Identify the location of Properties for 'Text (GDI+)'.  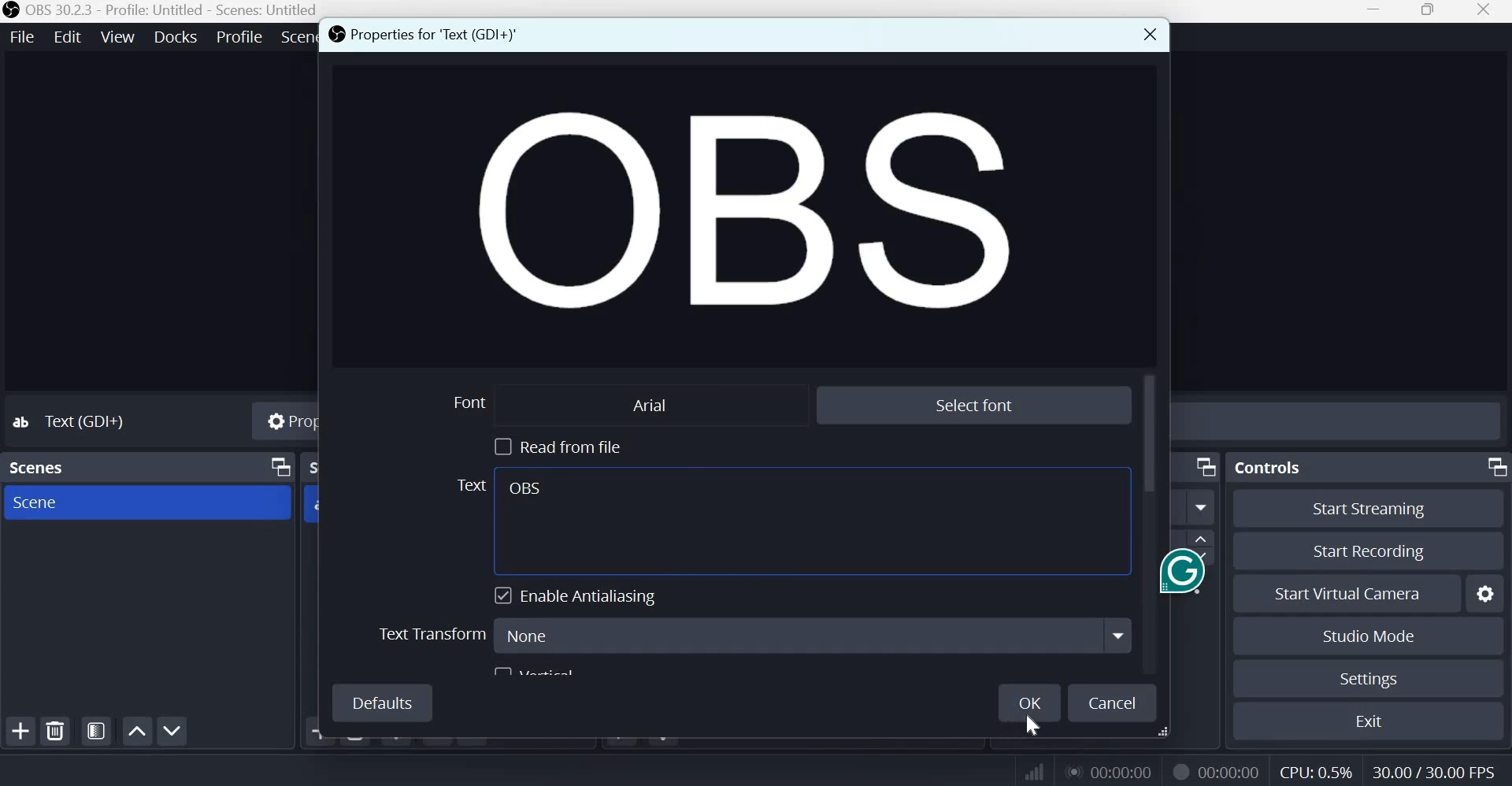
(428, 32).